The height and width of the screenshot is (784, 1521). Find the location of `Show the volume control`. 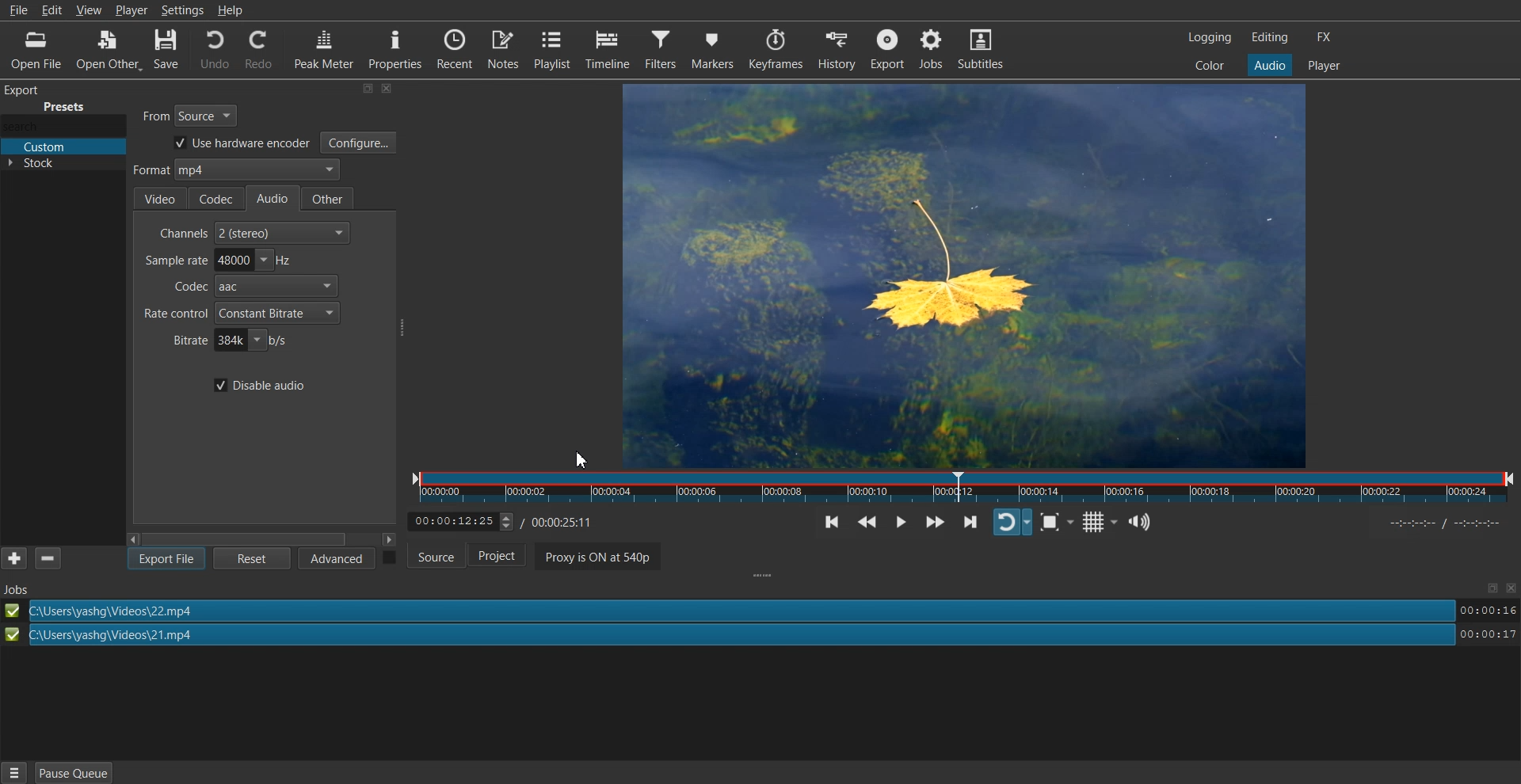

Show the volume control is located at coordinates (1143, 523).